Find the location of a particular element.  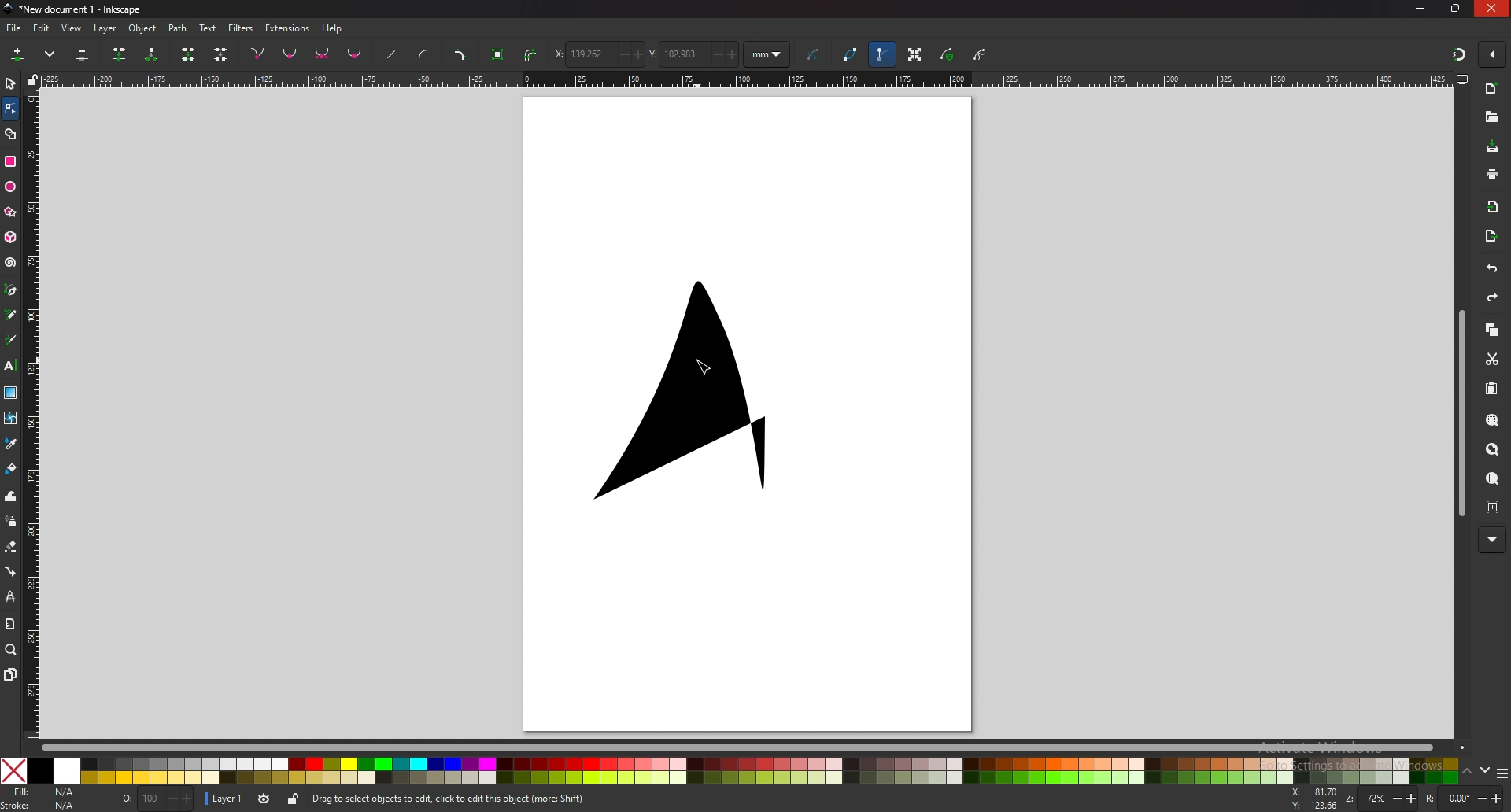

lock guides is located at coordinates (32, 79).